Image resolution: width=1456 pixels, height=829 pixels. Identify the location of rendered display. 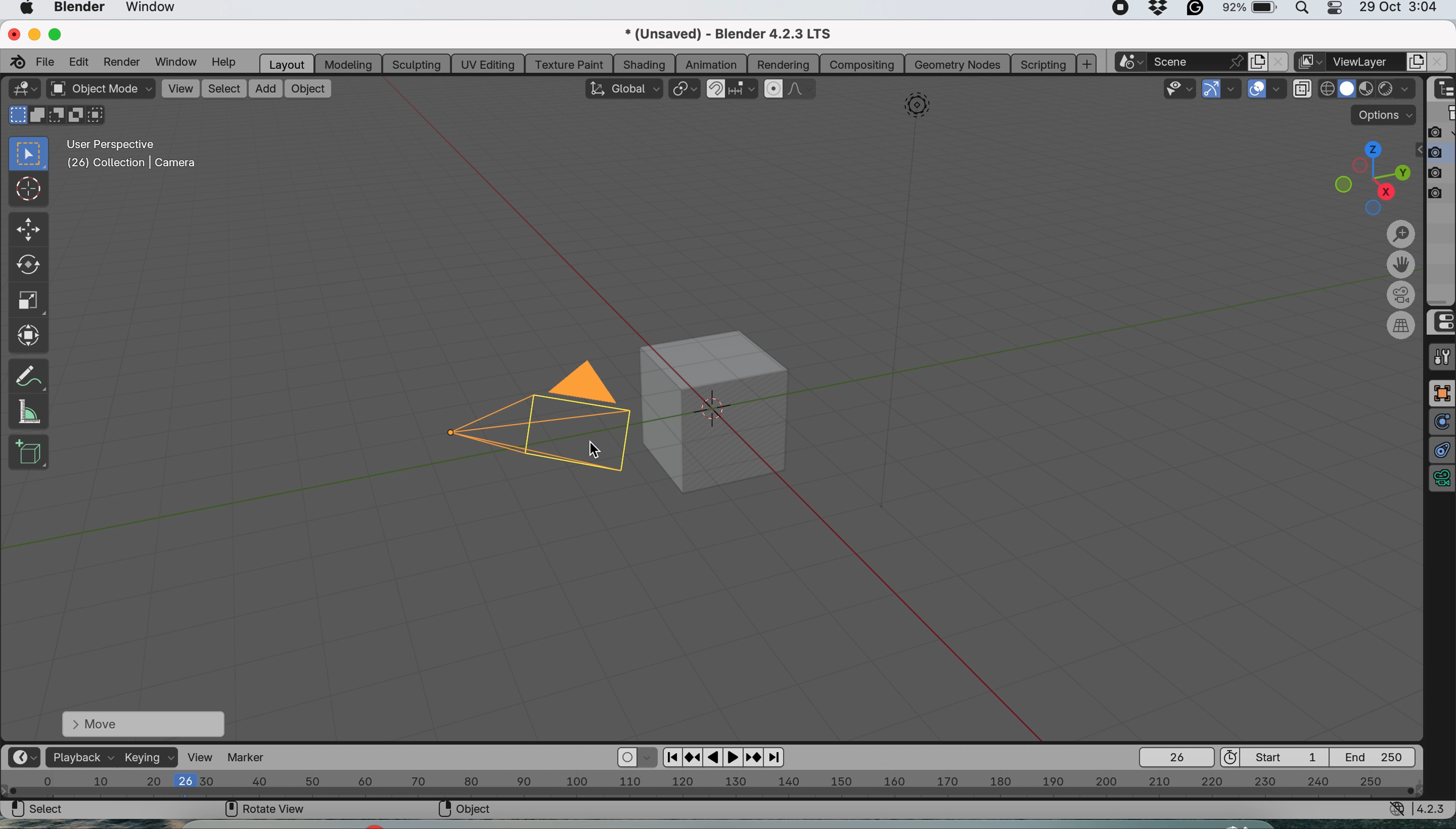
(1368, 91).